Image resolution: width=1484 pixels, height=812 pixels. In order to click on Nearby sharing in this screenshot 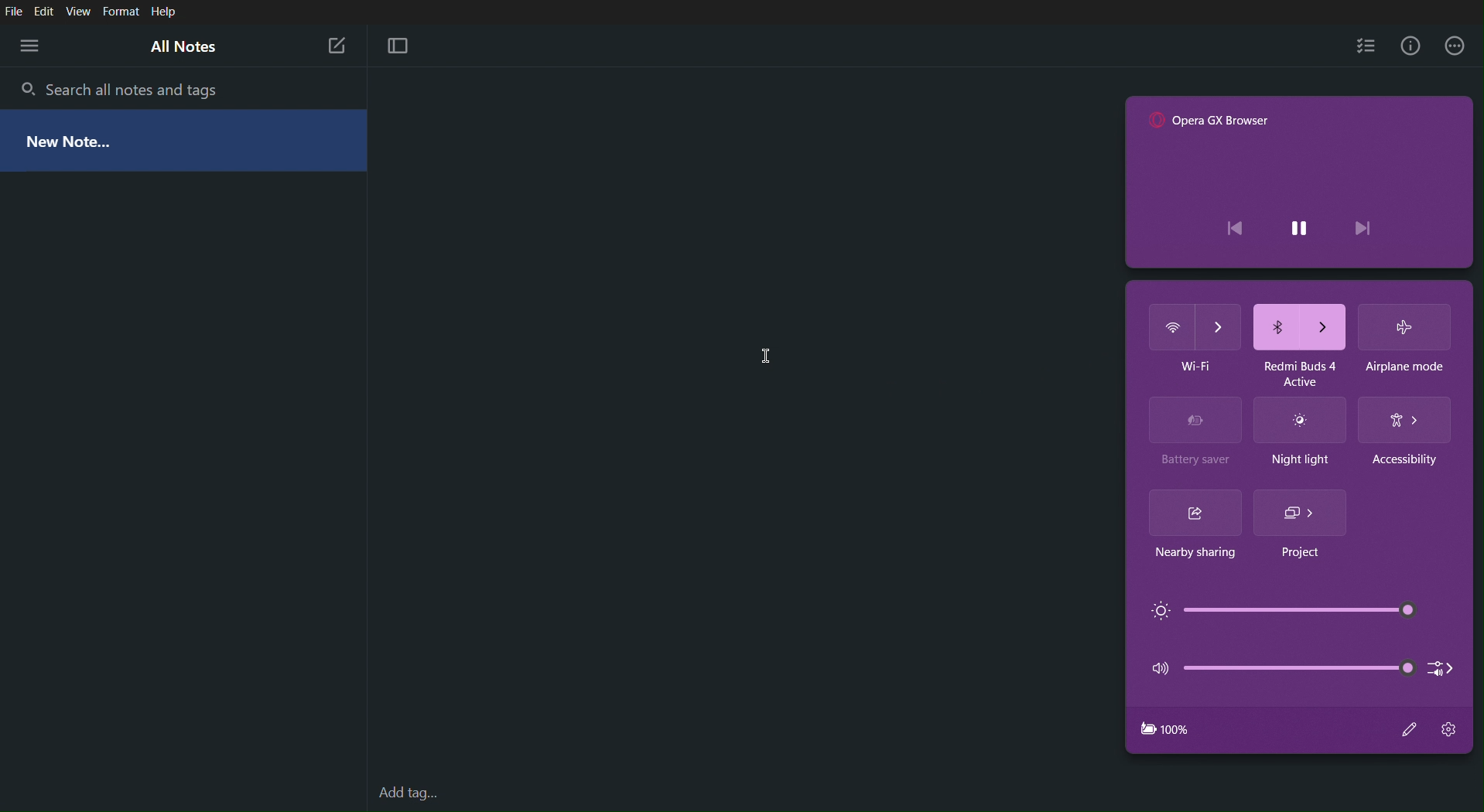, I will do `click(1186, 557)`.